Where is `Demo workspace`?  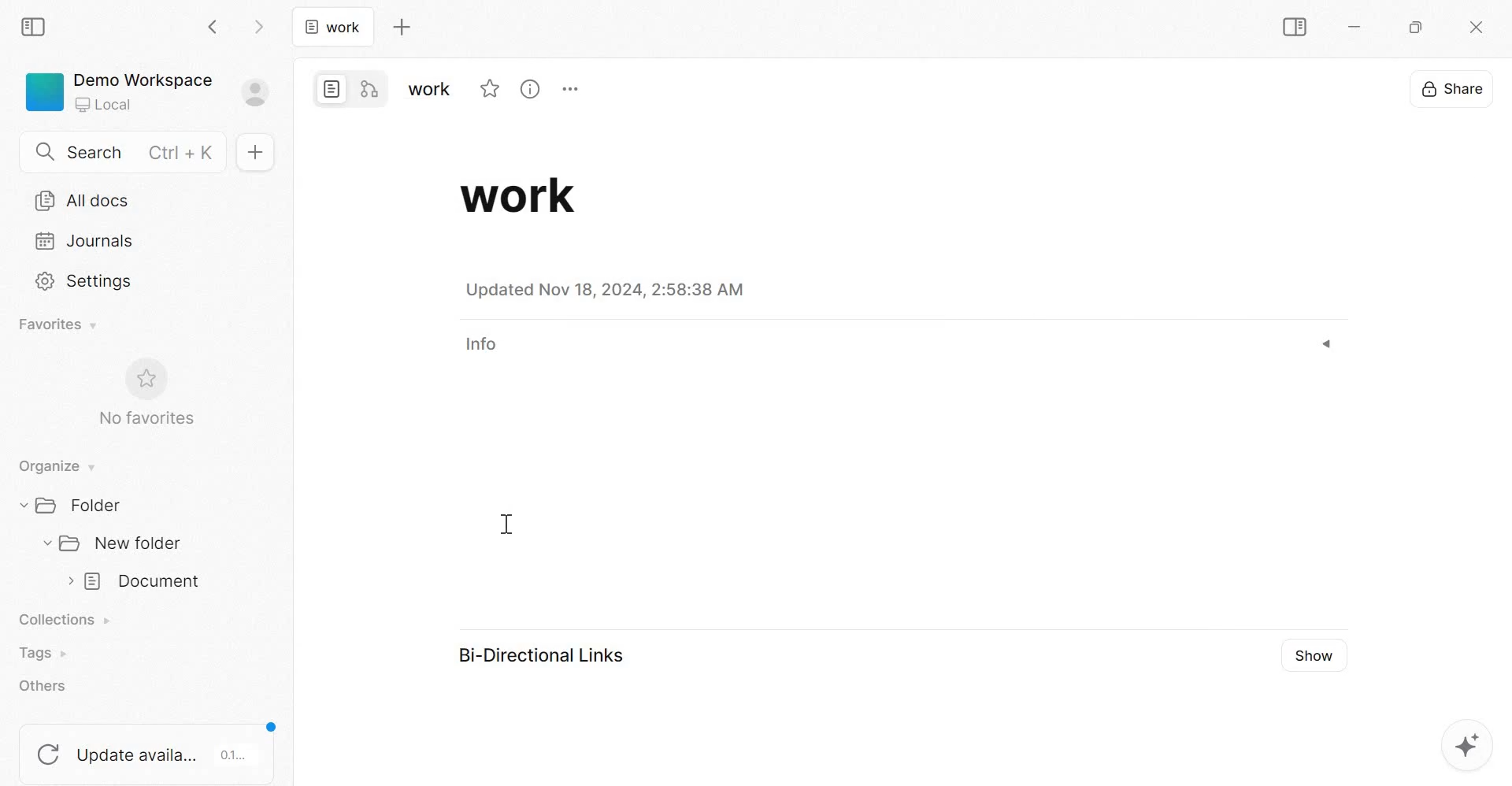
Demo workspace is located at coordinates (148, 95).